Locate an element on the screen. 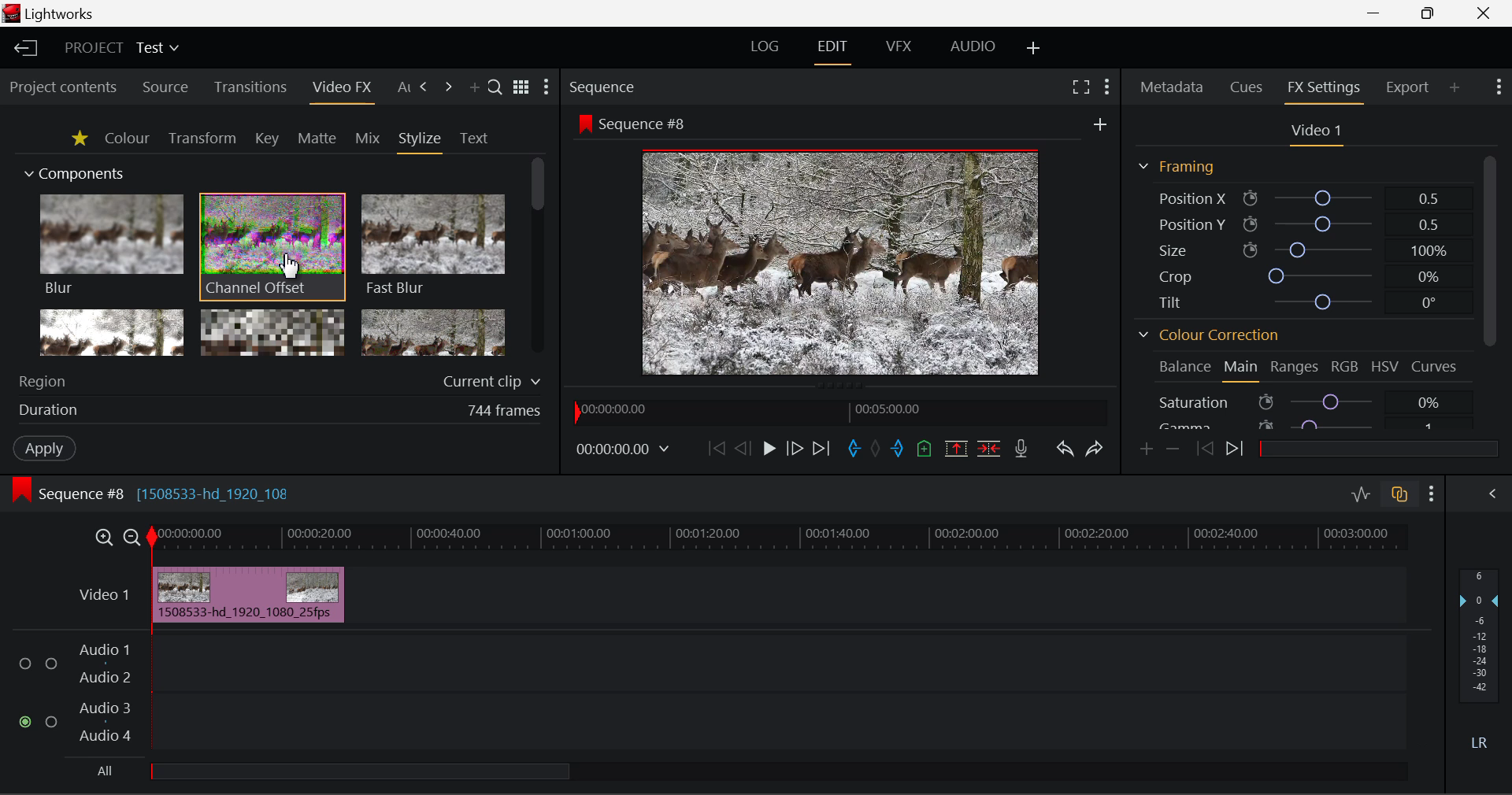 This screenshot has width=1512, height=795. Close is located at coordinates (1483, 14).